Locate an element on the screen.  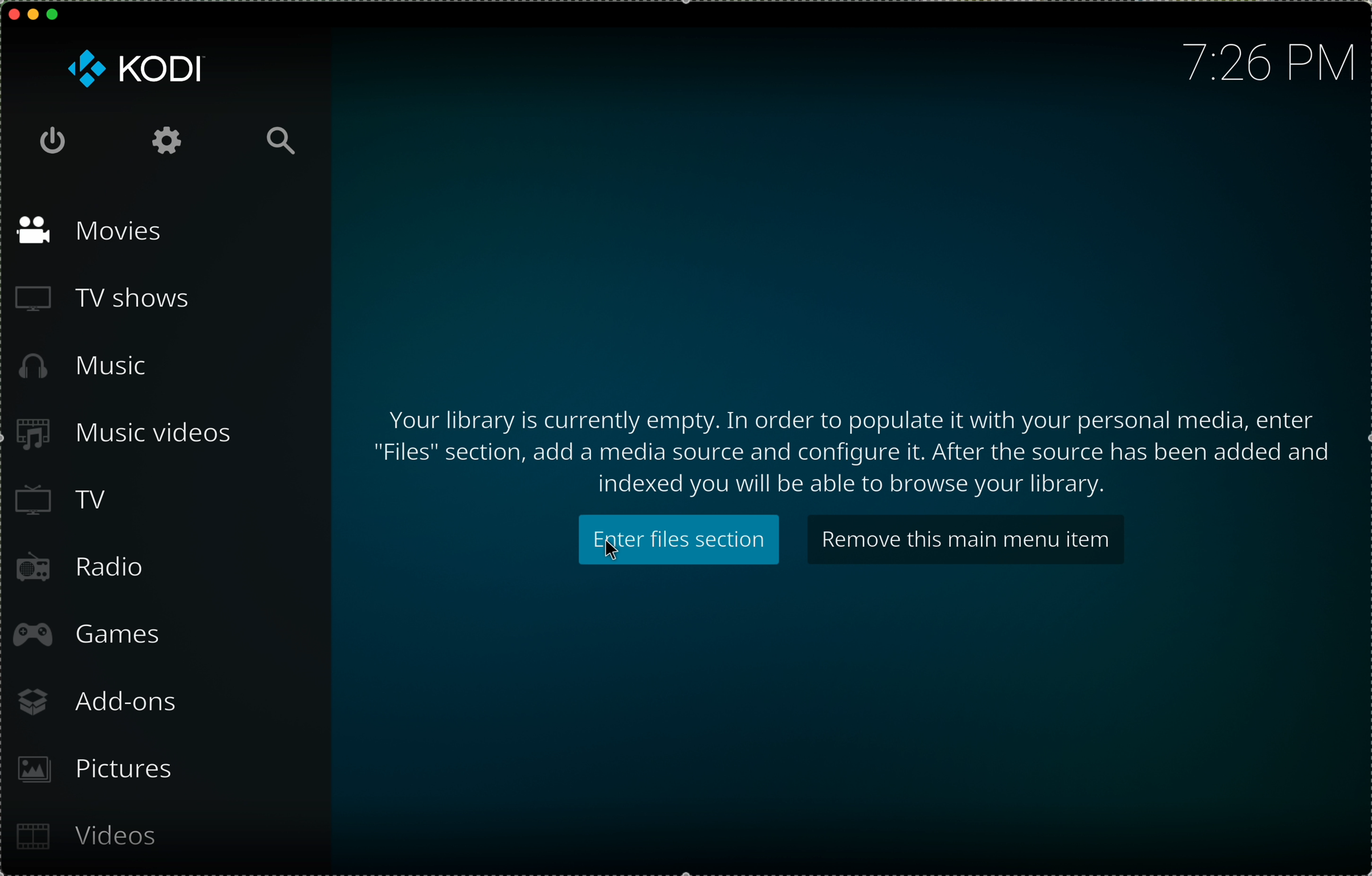
minimise is located at coordinates (33, 13).